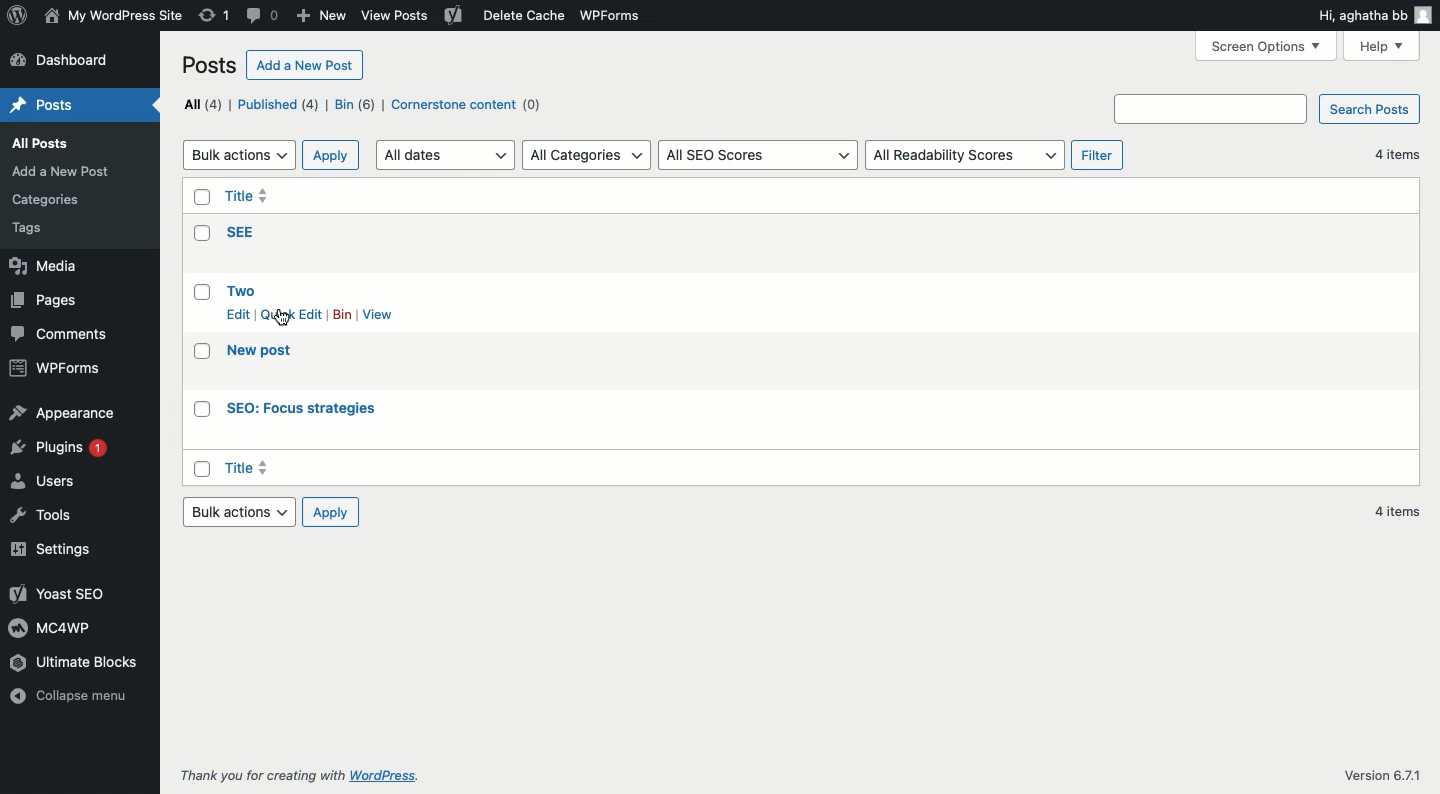 The image size is (1440, 794). Describe the element at coordinates (199, 198) in the screenshot. I see `Checkbox` at that location.